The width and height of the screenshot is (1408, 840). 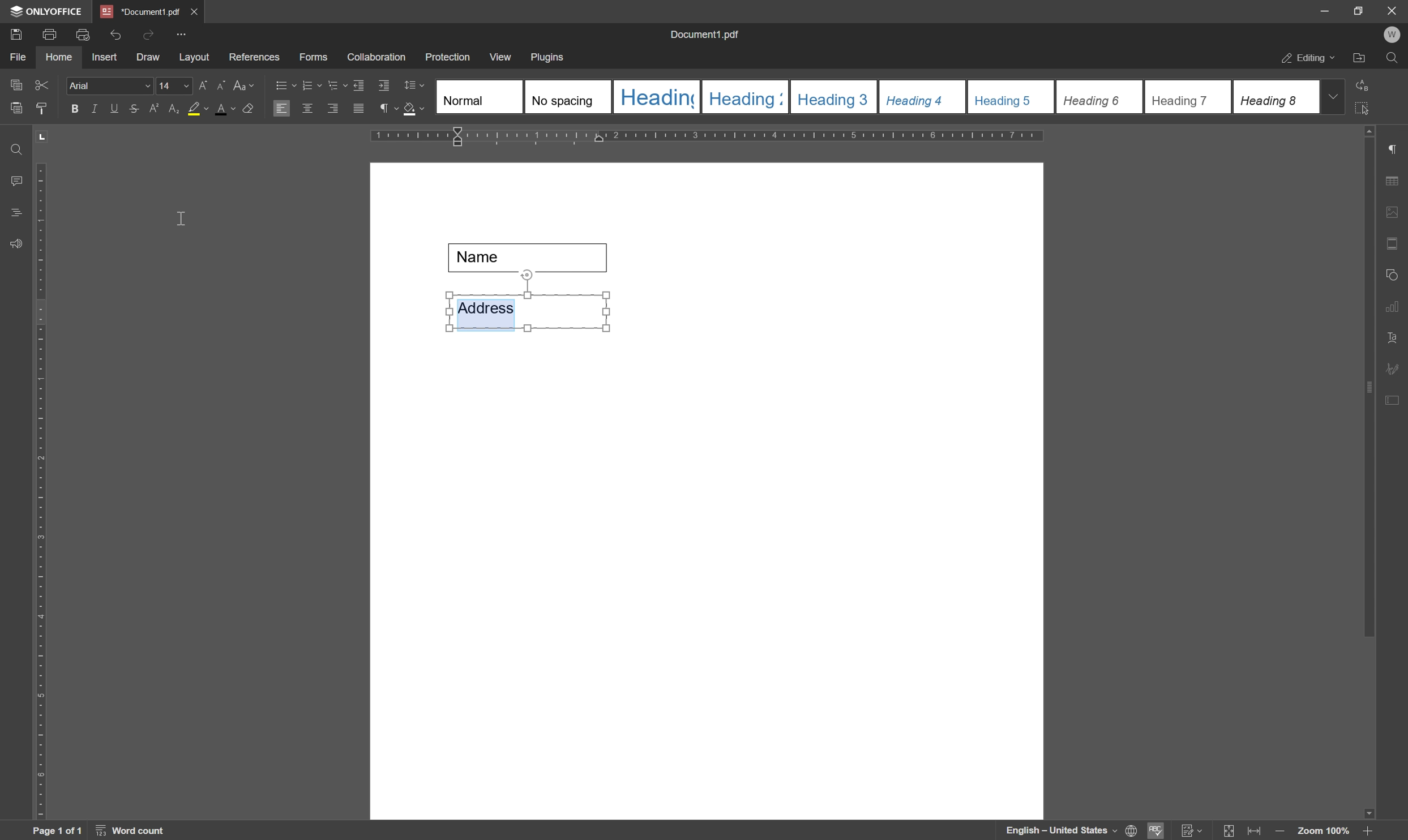 I want to click on signature settings, so click(x=1396, y=368).